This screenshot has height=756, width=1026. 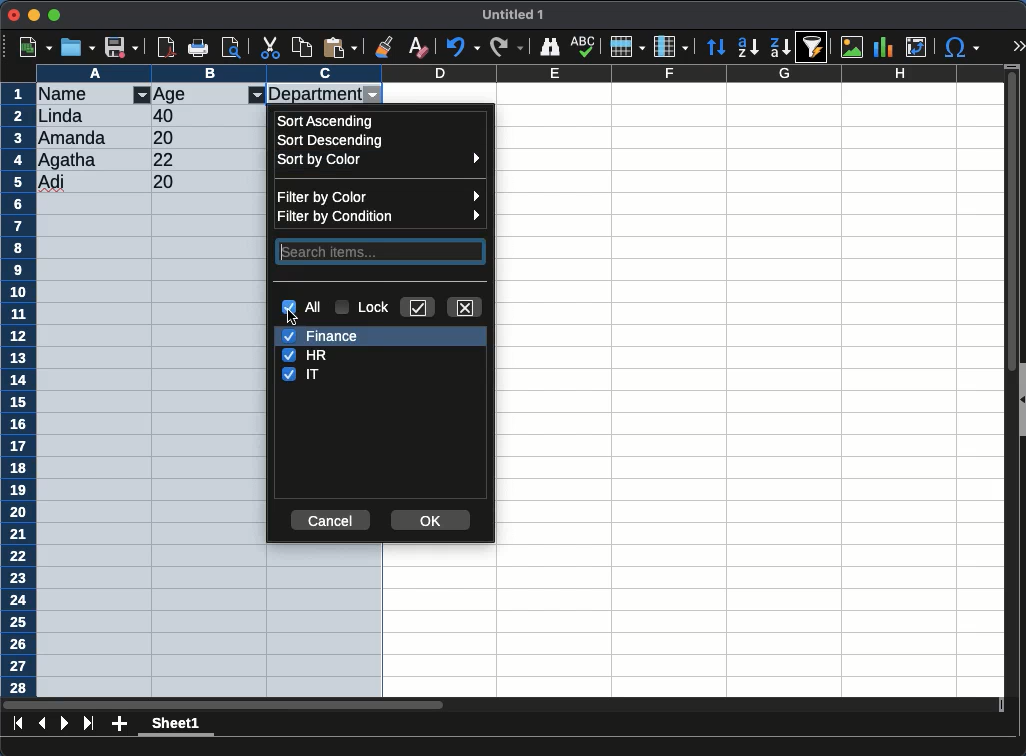 I want to click on search items, so click(x=382, y=250).